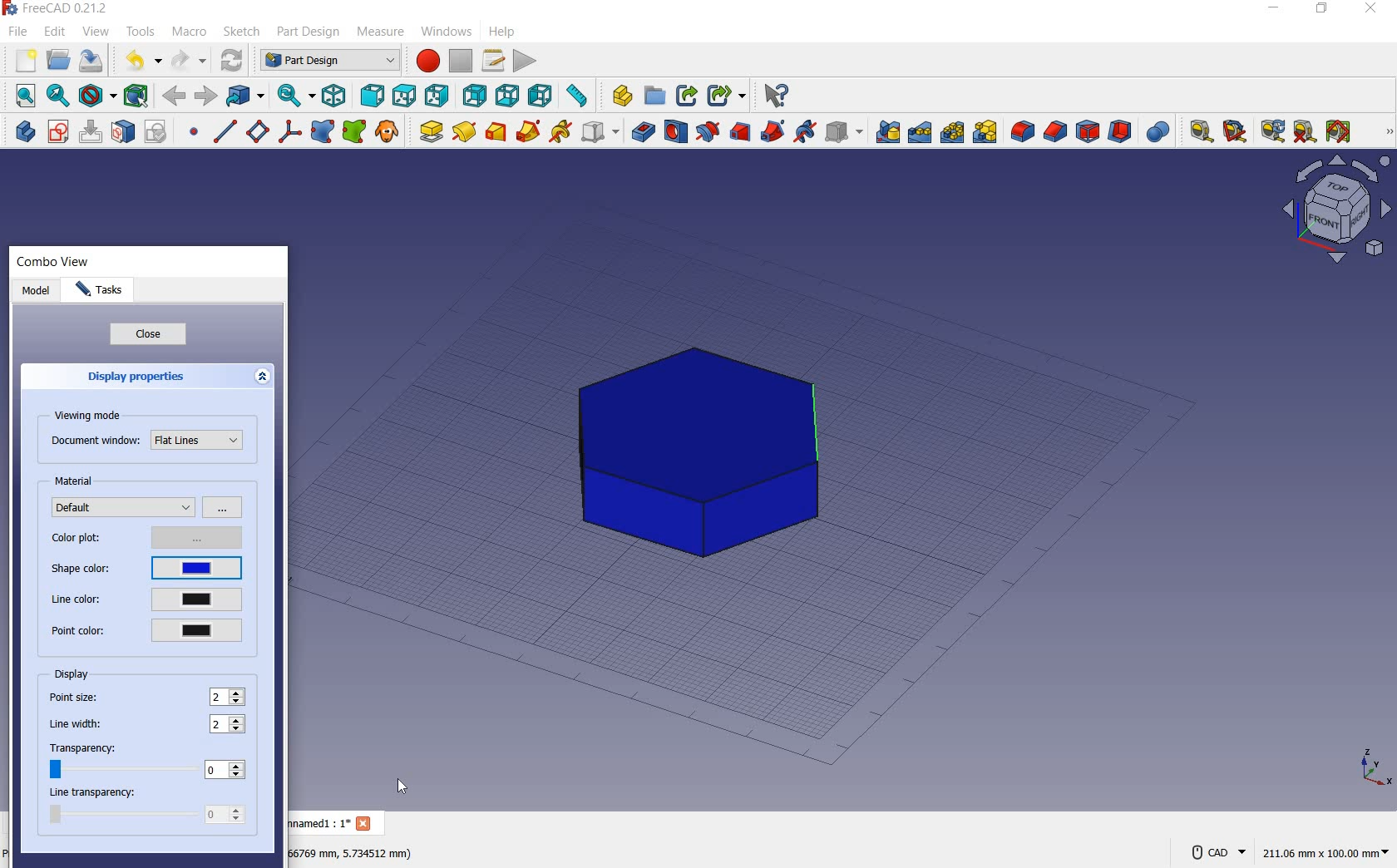 The width and height of the screenshot is (1397, 868). I want to click on line transparency, so click(122, 811).